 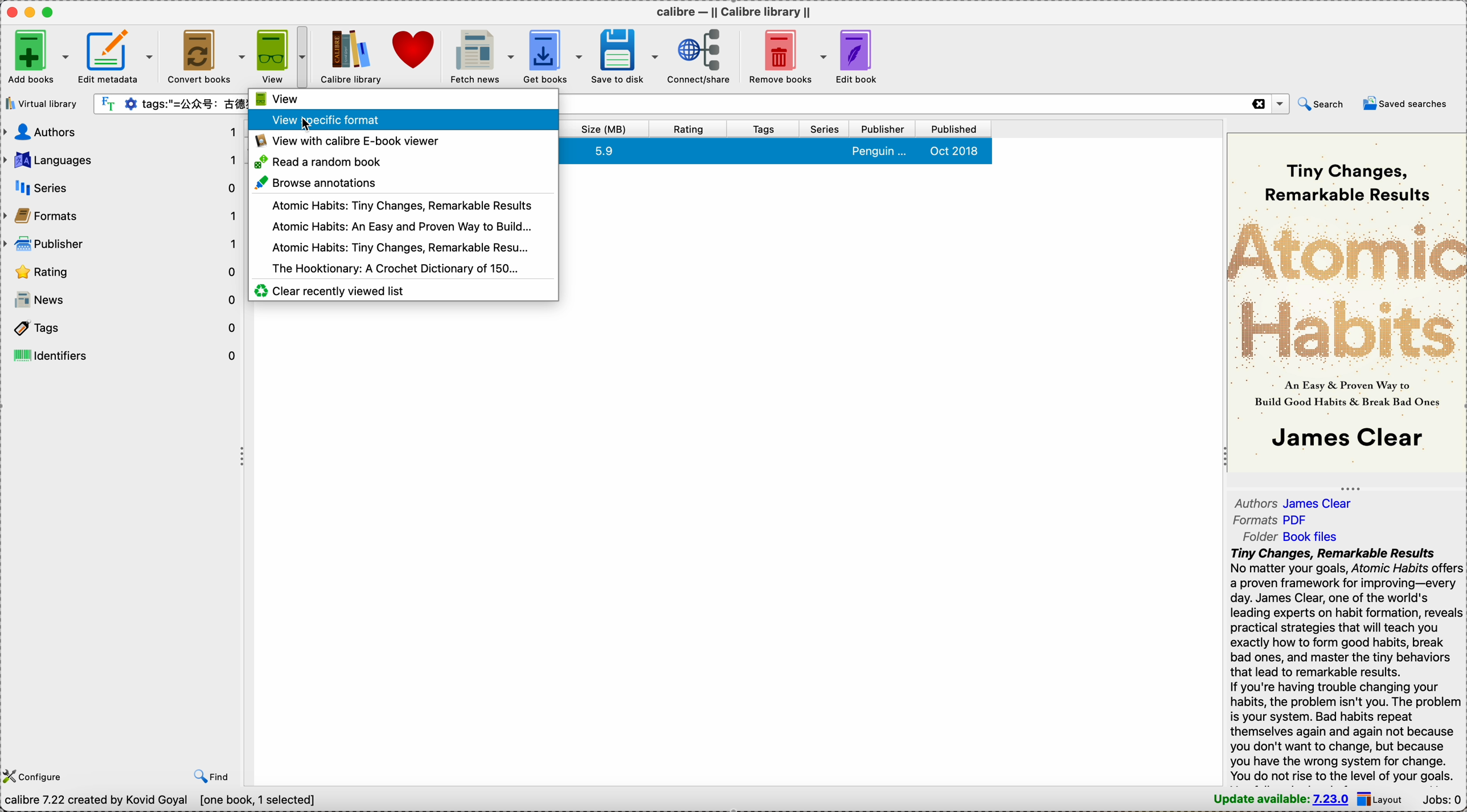 What do you see at coordinates (36, 776) in the screenshot?
I see `configure` at bounding box center [36, 776].